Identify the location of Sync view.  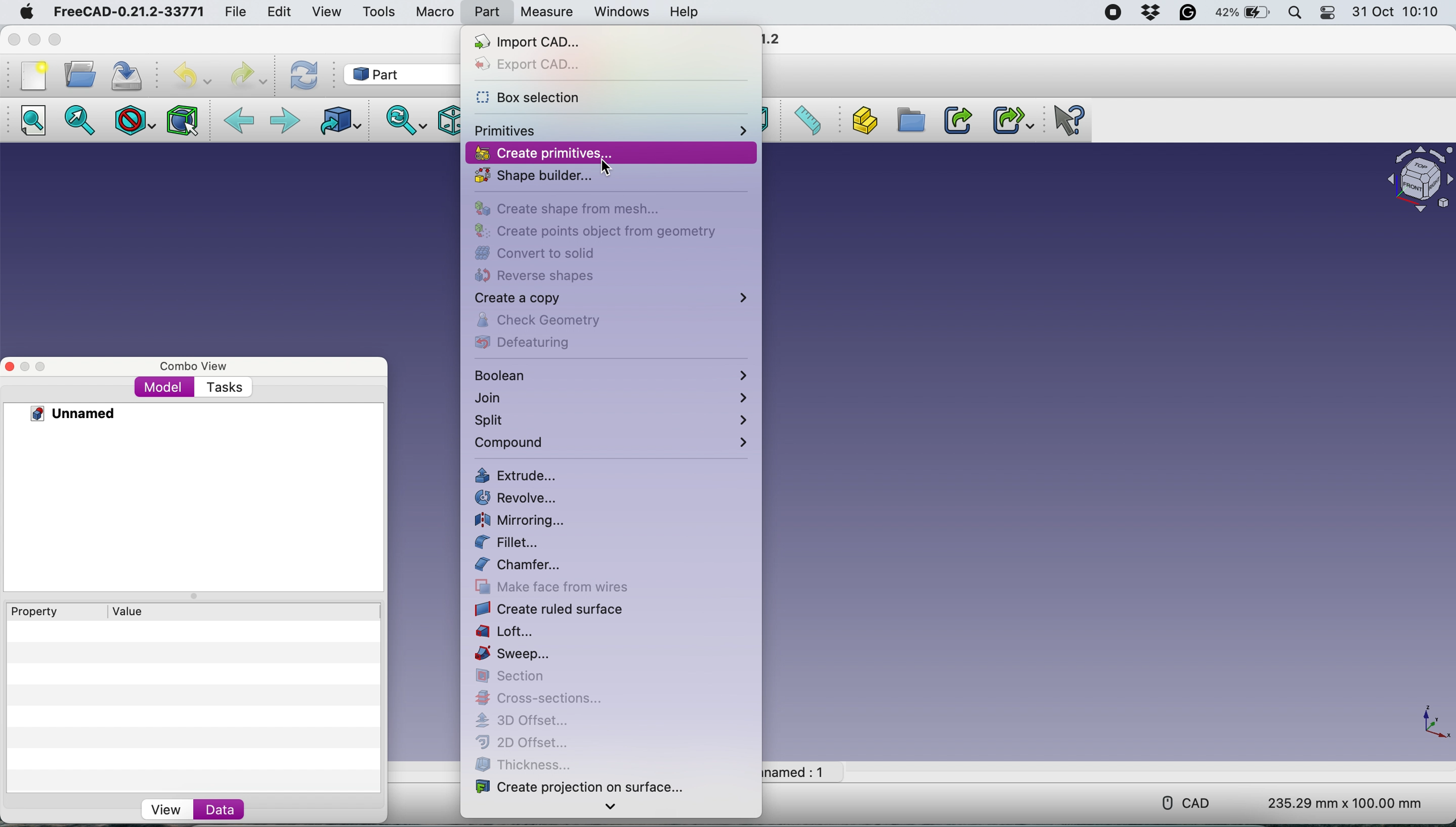
(406, 118).